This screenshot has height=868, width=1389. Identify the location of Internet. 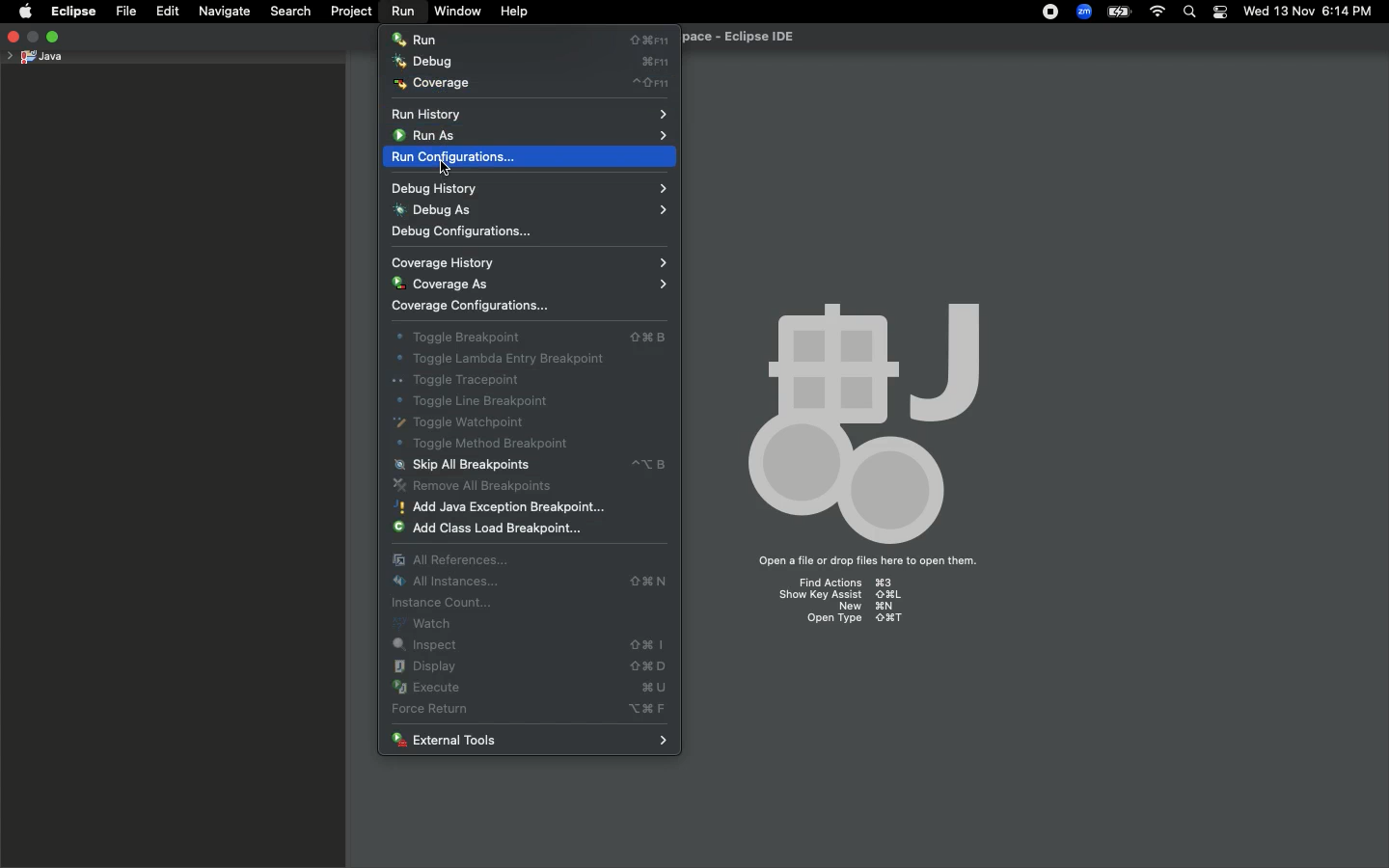
(1156, 14).